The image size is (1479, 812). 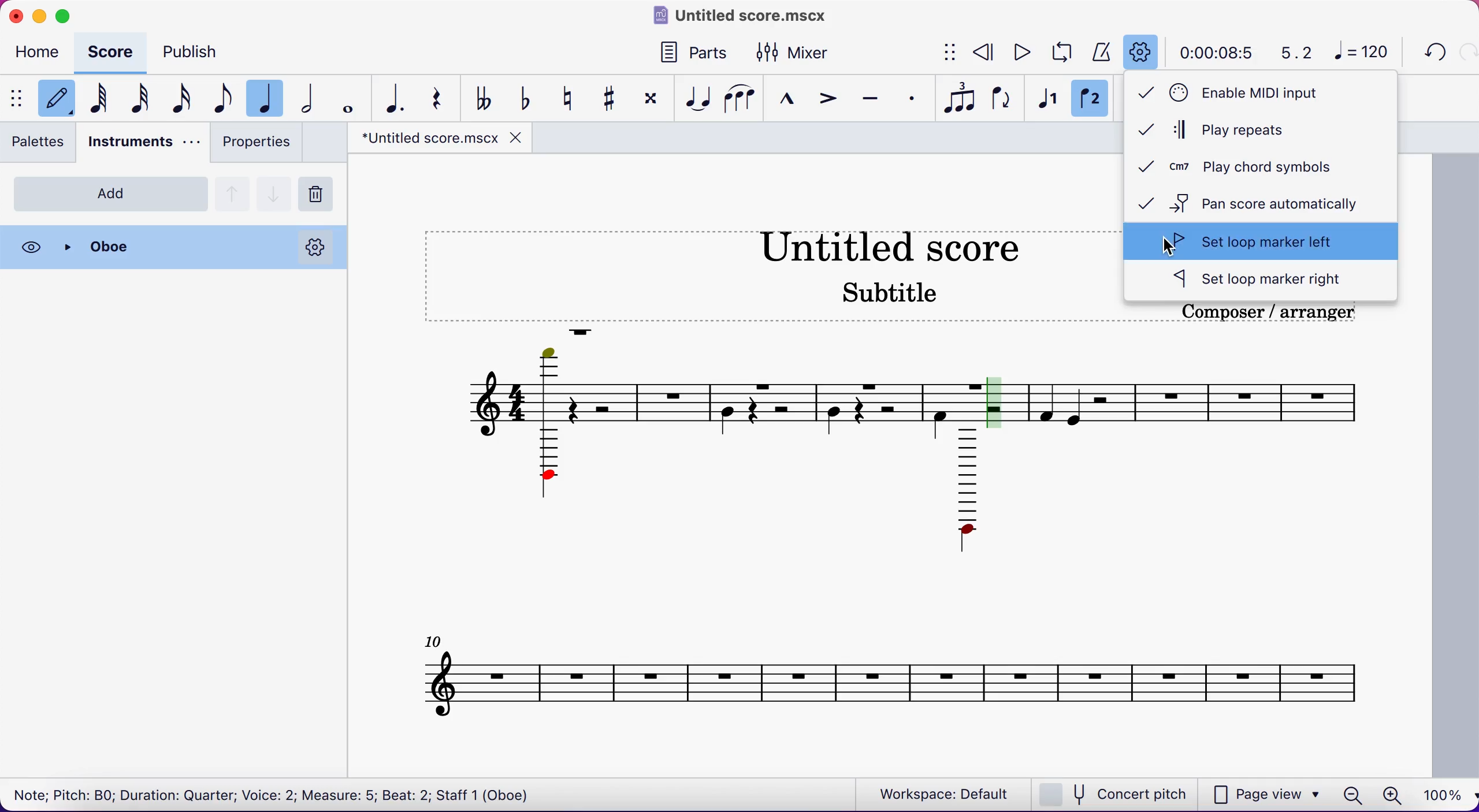 I want to click on 16th note, so click(x=181, y=99).